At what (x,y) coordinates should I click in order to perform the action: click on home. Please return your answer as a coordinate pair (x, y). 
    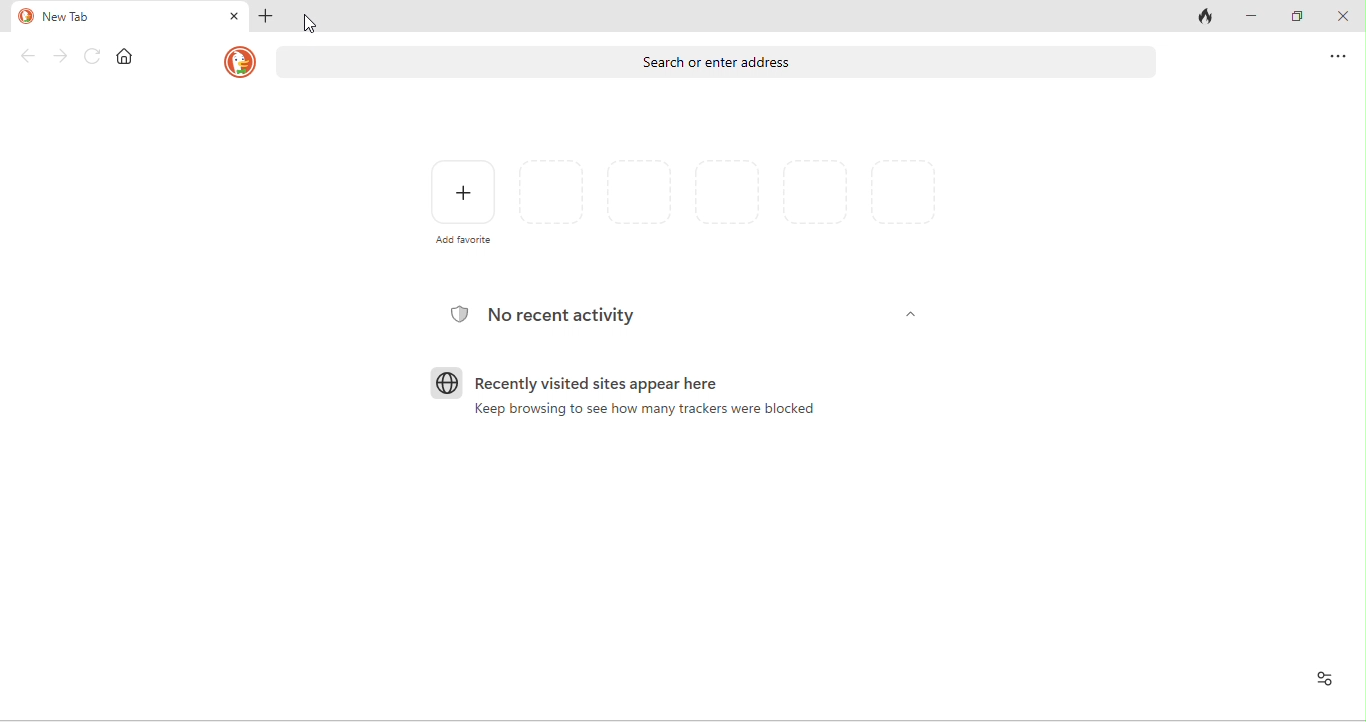
    Looking at the image, I should click on (125, 55).